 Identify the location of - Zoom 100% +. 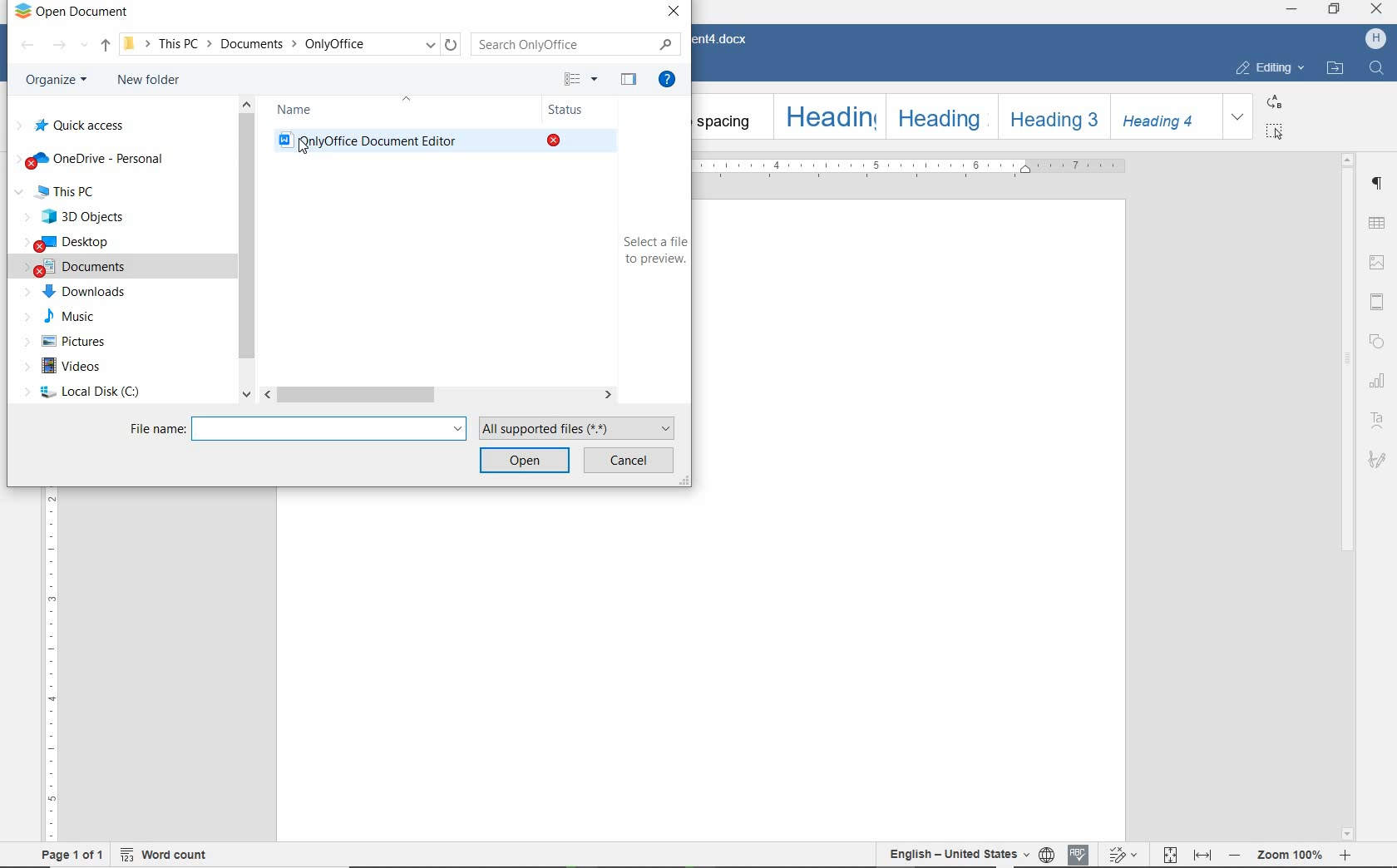
(1290, 857).